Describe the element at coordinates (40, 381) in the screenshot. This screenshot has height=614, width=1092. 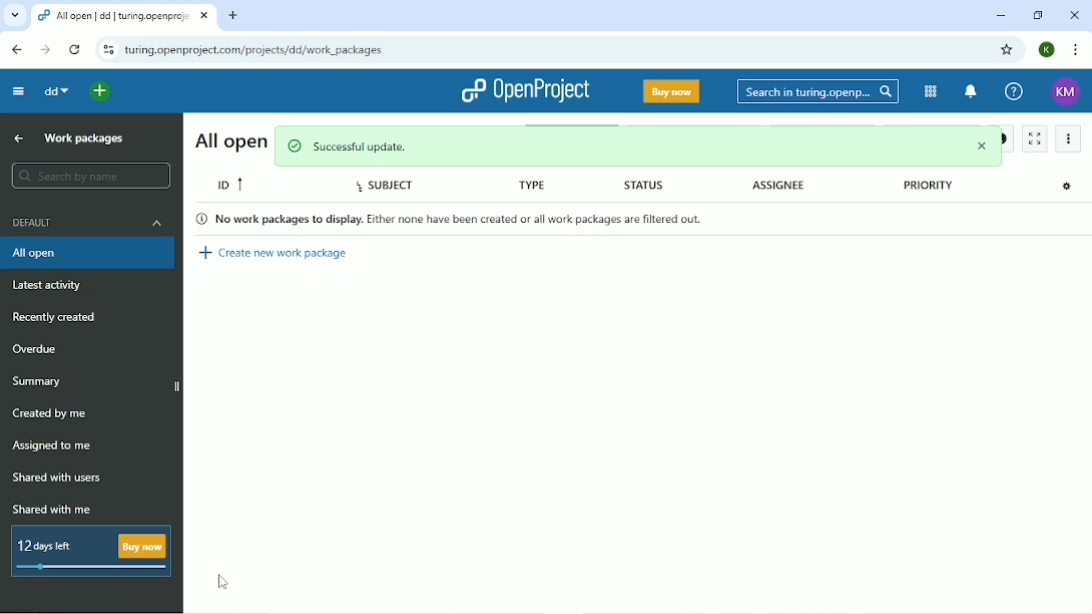
I see `Summary` at that location.